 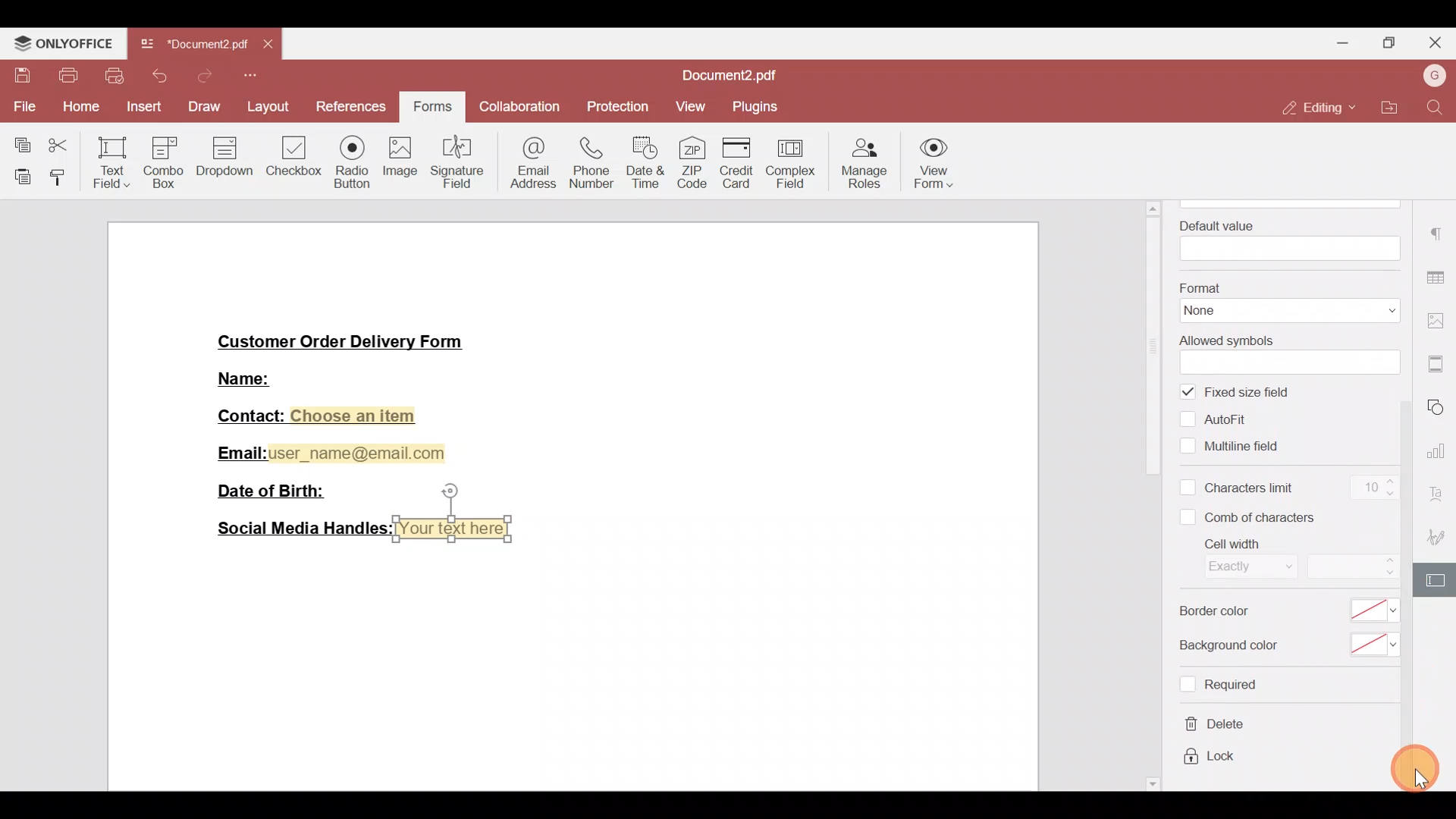 I want to click on Layout, so click(x=266, y=105).